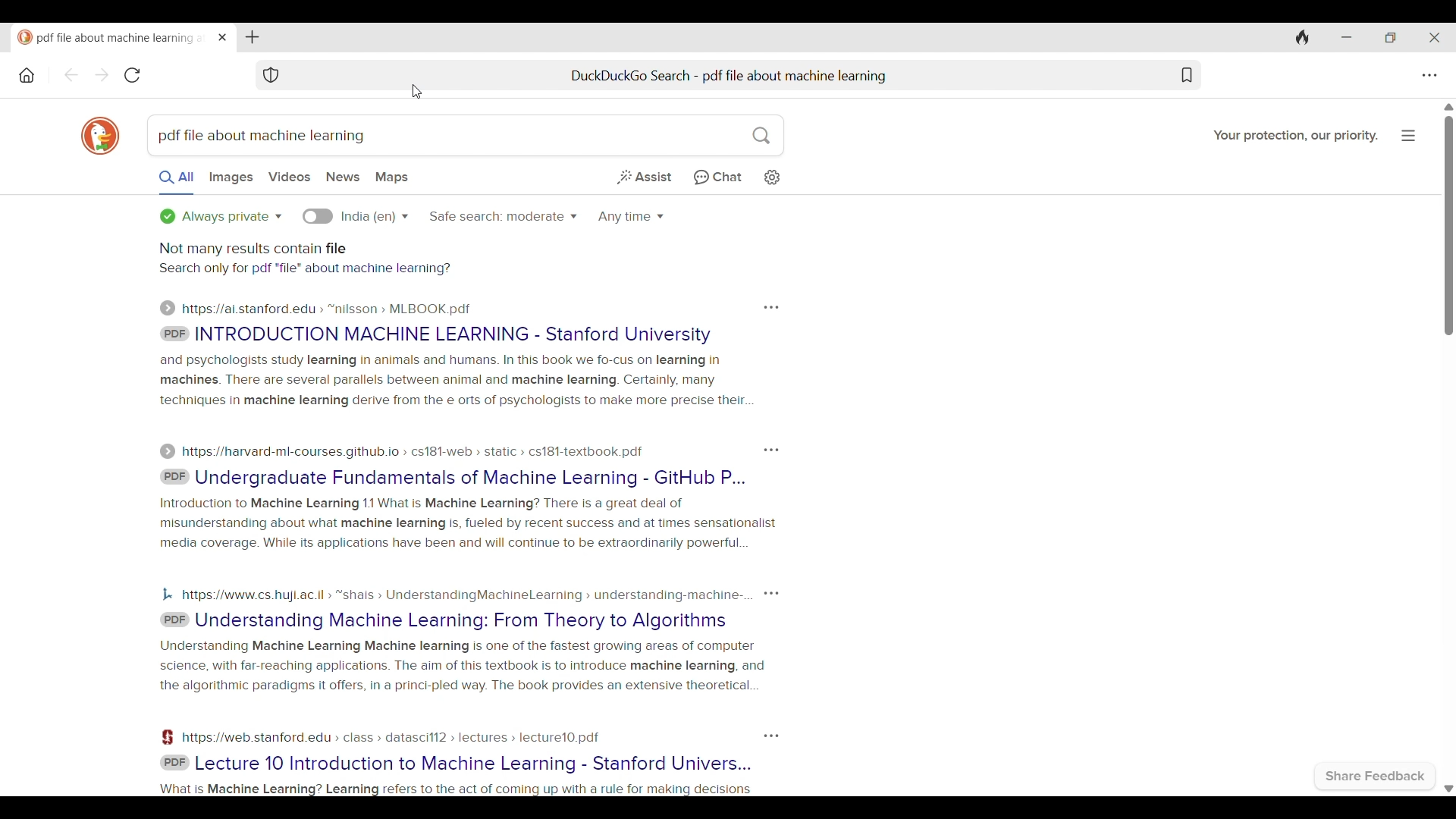  What do you see at coordinates (1429, 76) in the screenshot?
I see `Browser settings` at bounding box center [1429, 76].